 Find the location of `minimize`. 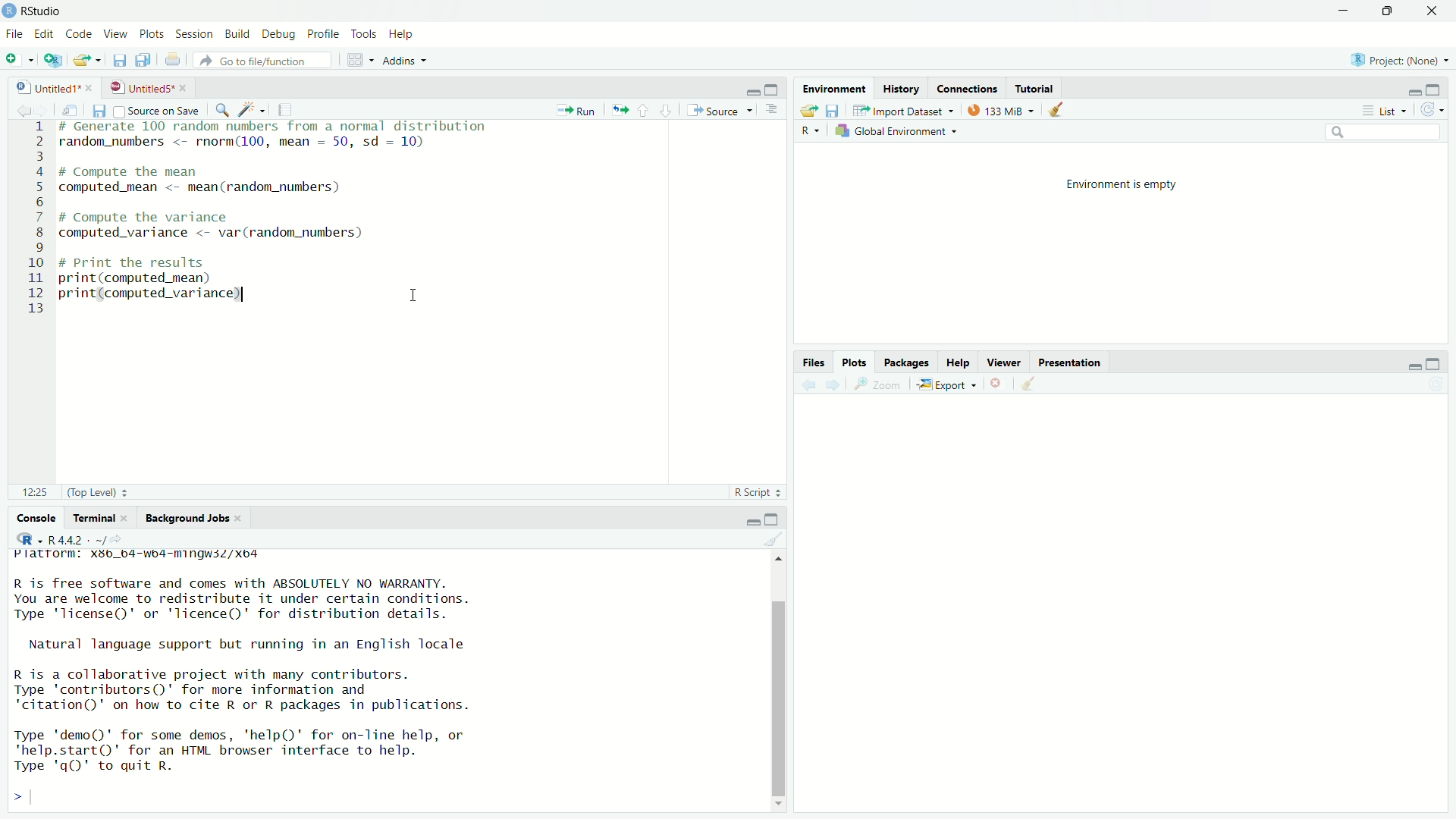

minimize is located at coordinates (1413, 366).